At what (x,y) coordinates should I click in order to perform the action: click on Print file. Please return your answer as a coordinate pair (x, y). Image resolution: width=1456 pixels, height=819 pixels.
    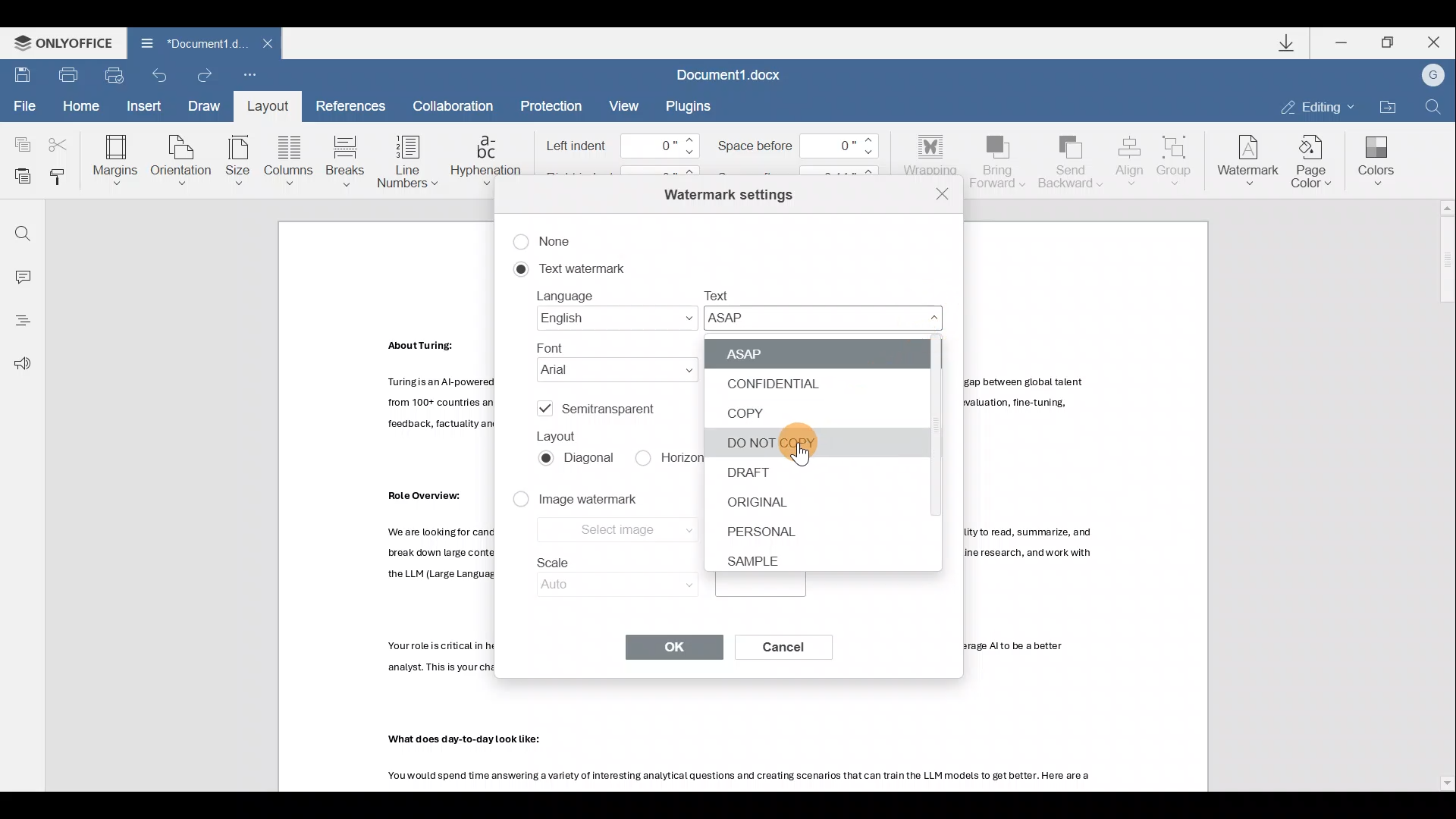
    Looking at the image, I should click on (64, 76).